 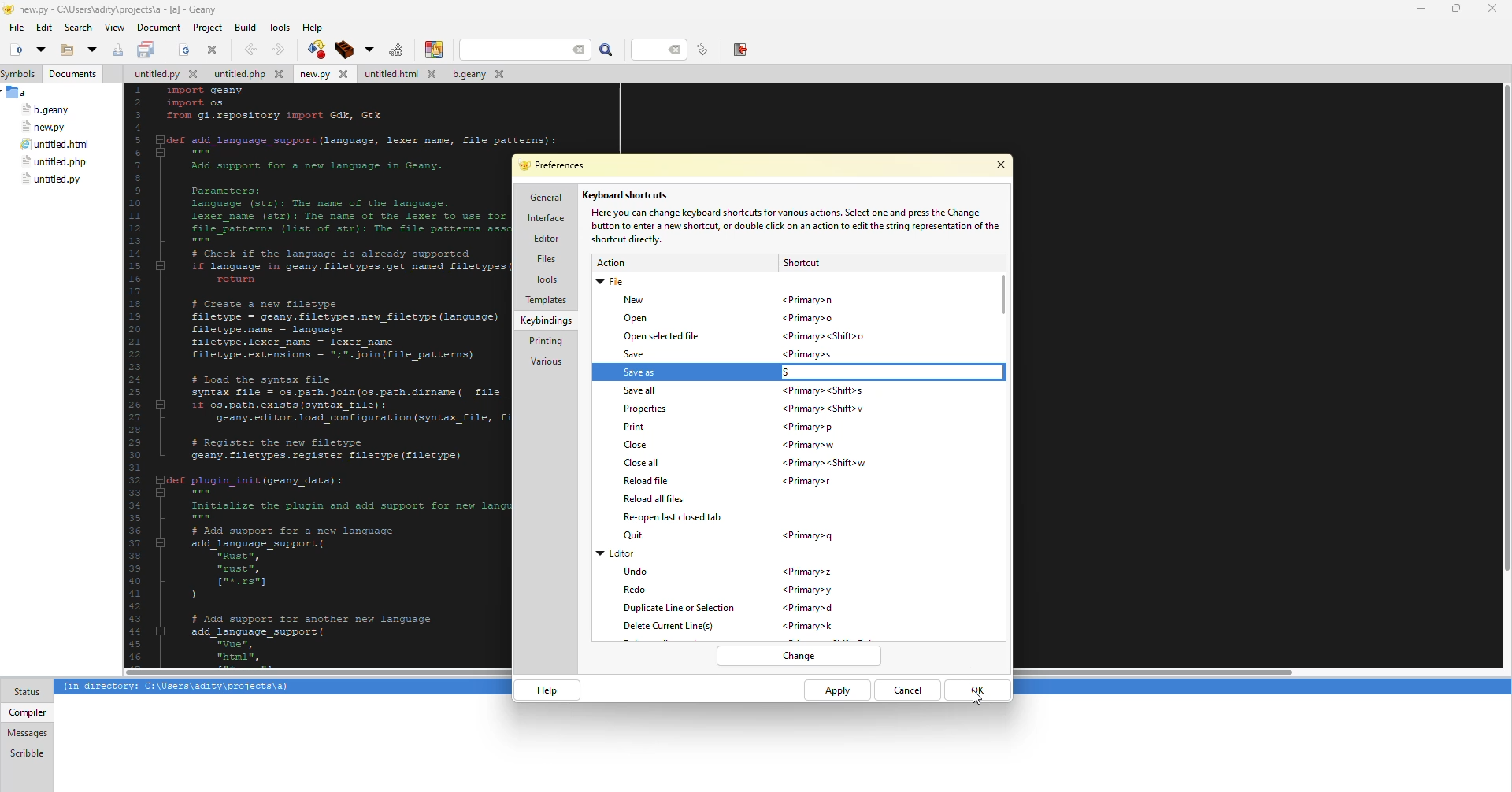 What do you see at coordinates (53, 162) in the screenshot?
I see `file` at bounding box center [53, 162].